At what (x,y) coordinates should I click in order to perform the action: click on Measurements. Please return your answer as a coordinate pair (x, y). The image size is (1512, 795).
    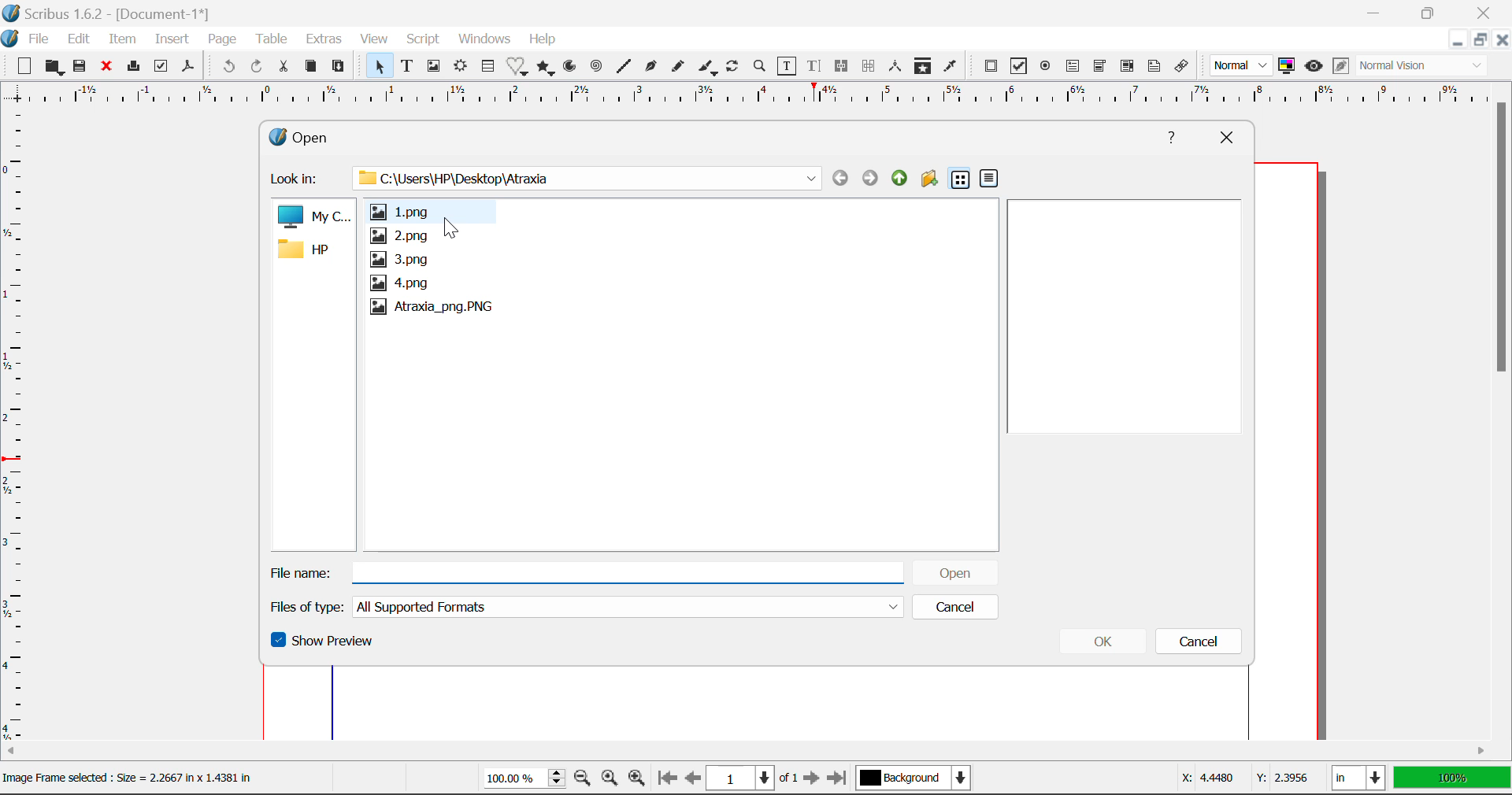
    Looking at the image, I should click on (897, 67).